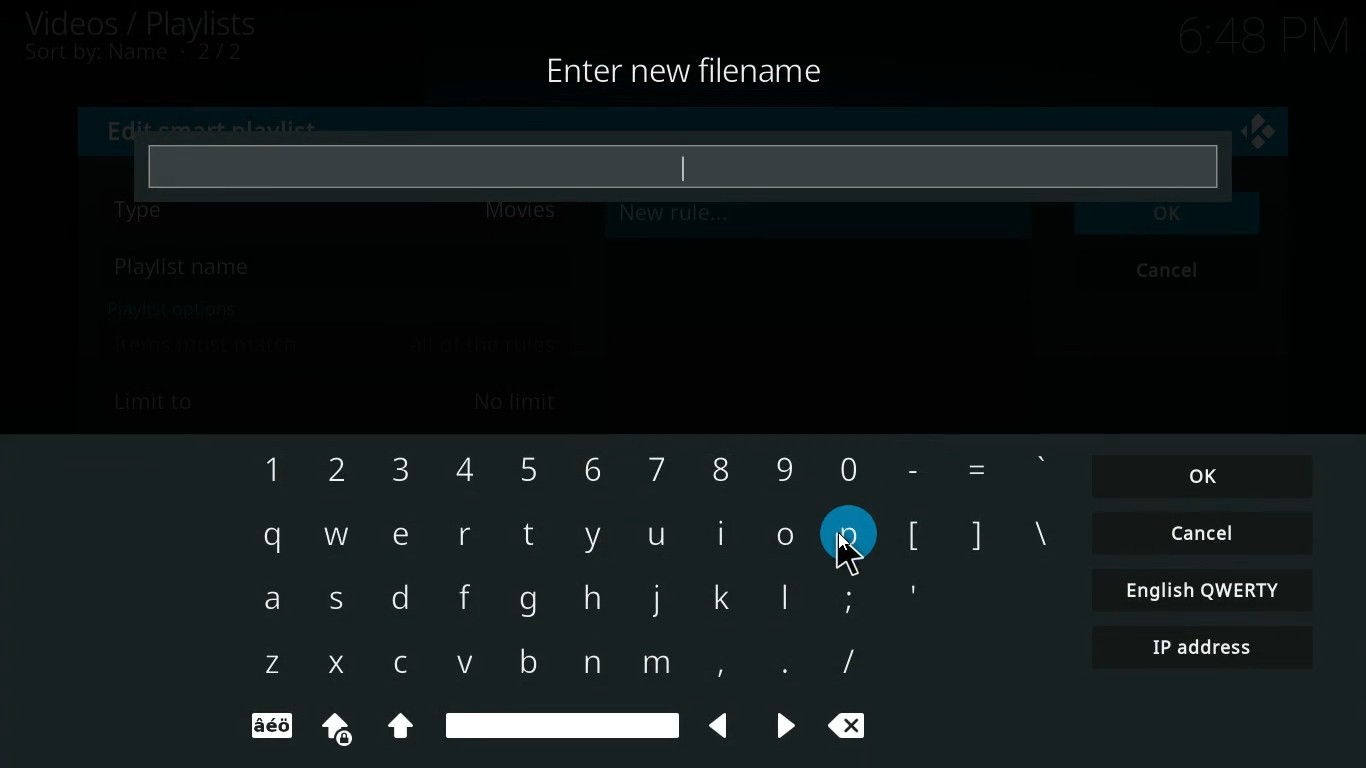 The height and width of the screenshot is (768, 1366). Describe the element at coordinates (788, 602) in the screenshot. I see `|` at that location.